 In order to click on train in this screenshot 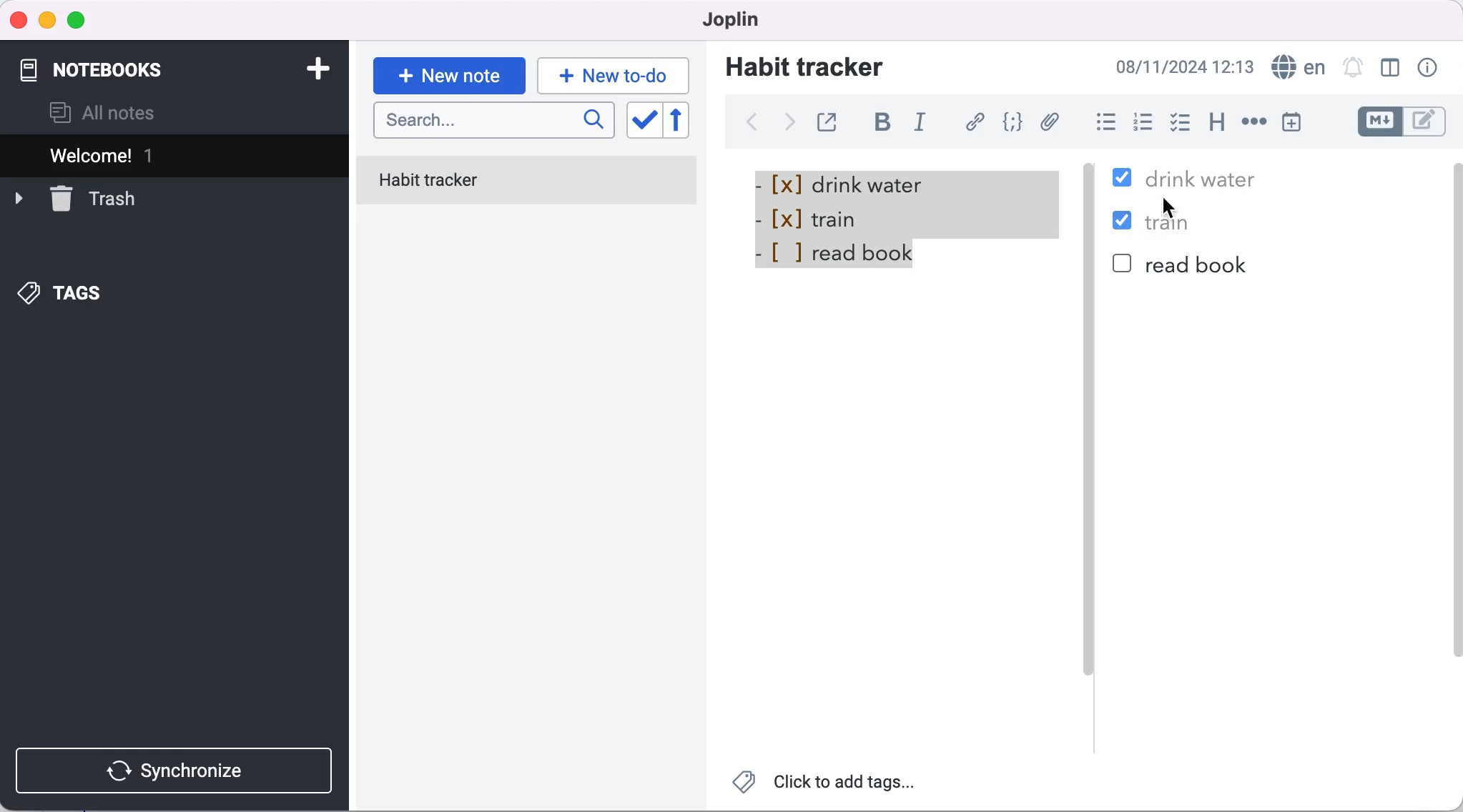, I will do `click(1178, 222)`.